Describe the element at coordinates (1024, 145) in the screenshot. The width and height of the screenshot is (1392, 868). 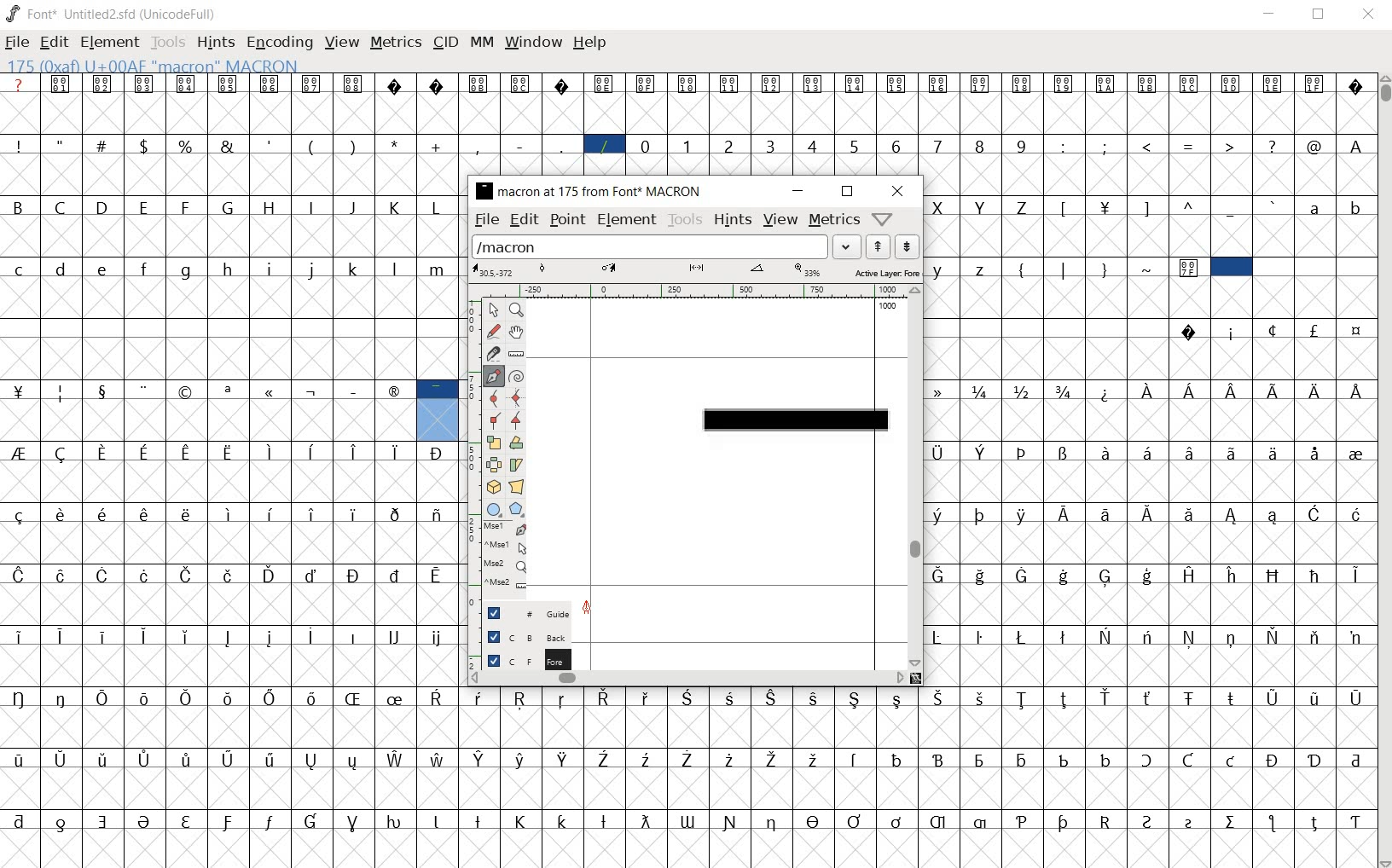
I see `9` at that location.